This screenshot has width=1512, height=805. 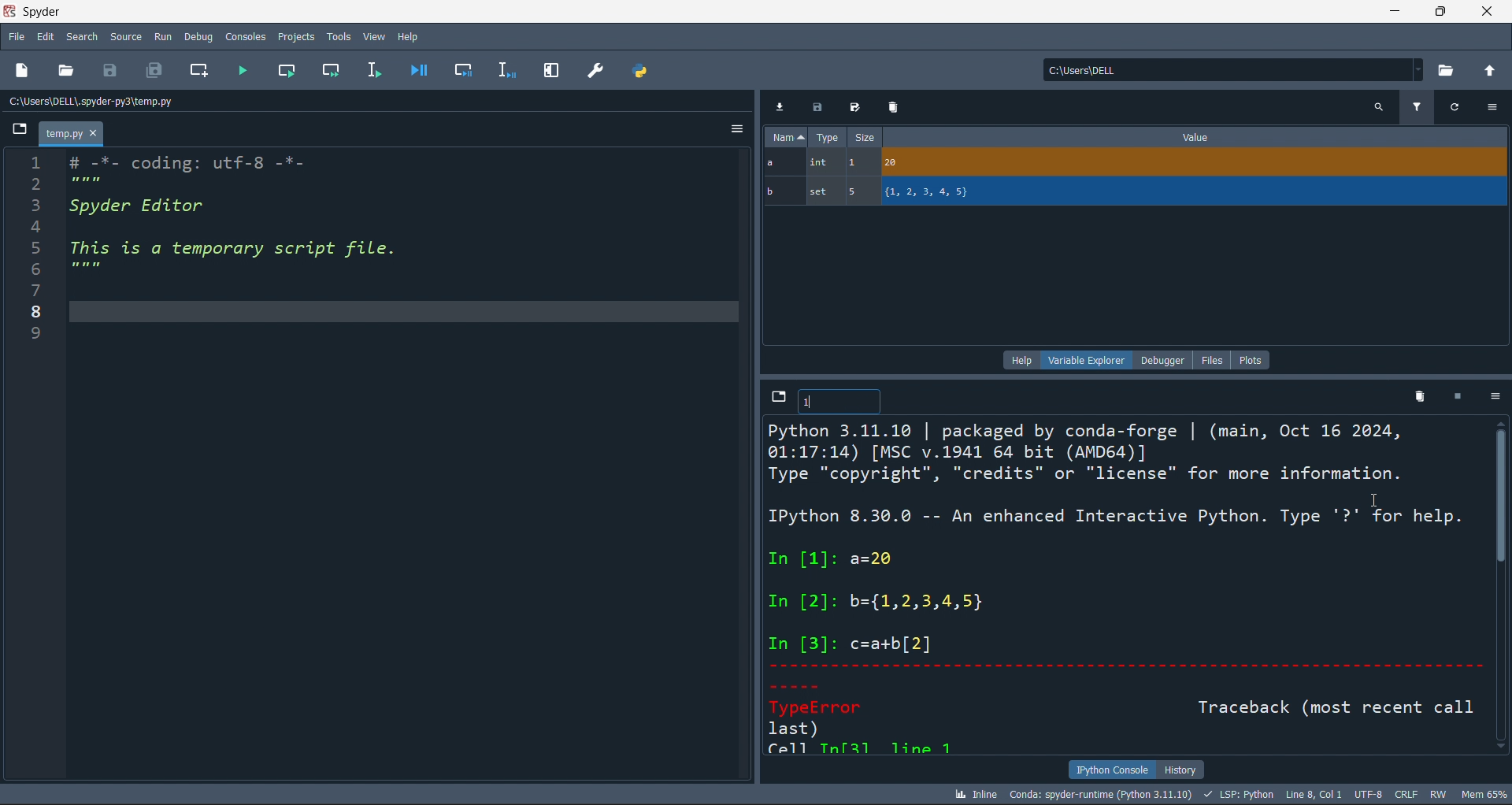 I want to click on history, so click(x=1181, y=768).